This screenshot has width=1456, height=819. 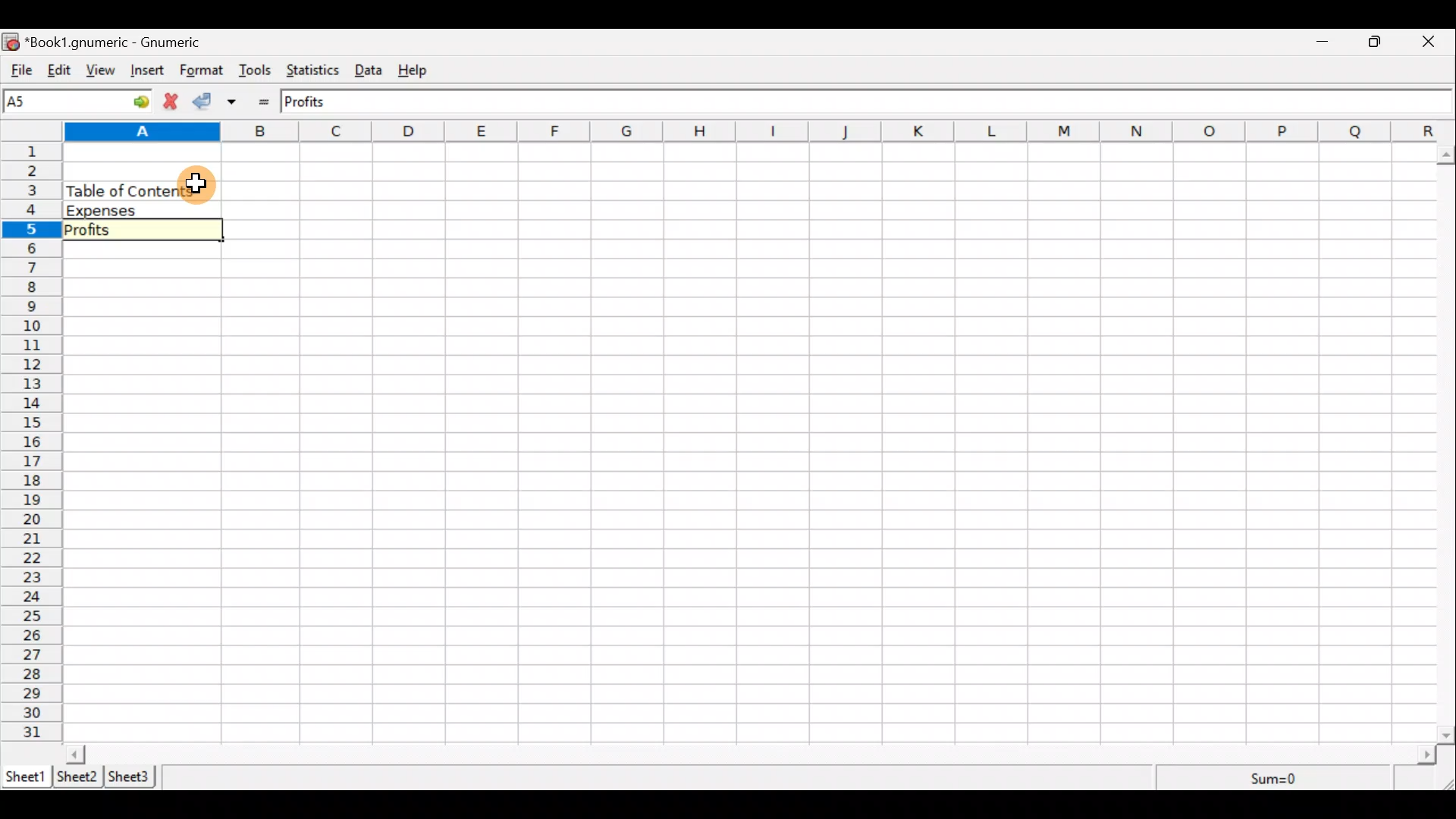 I want to click on Accept change, so click(x=206, y=102).